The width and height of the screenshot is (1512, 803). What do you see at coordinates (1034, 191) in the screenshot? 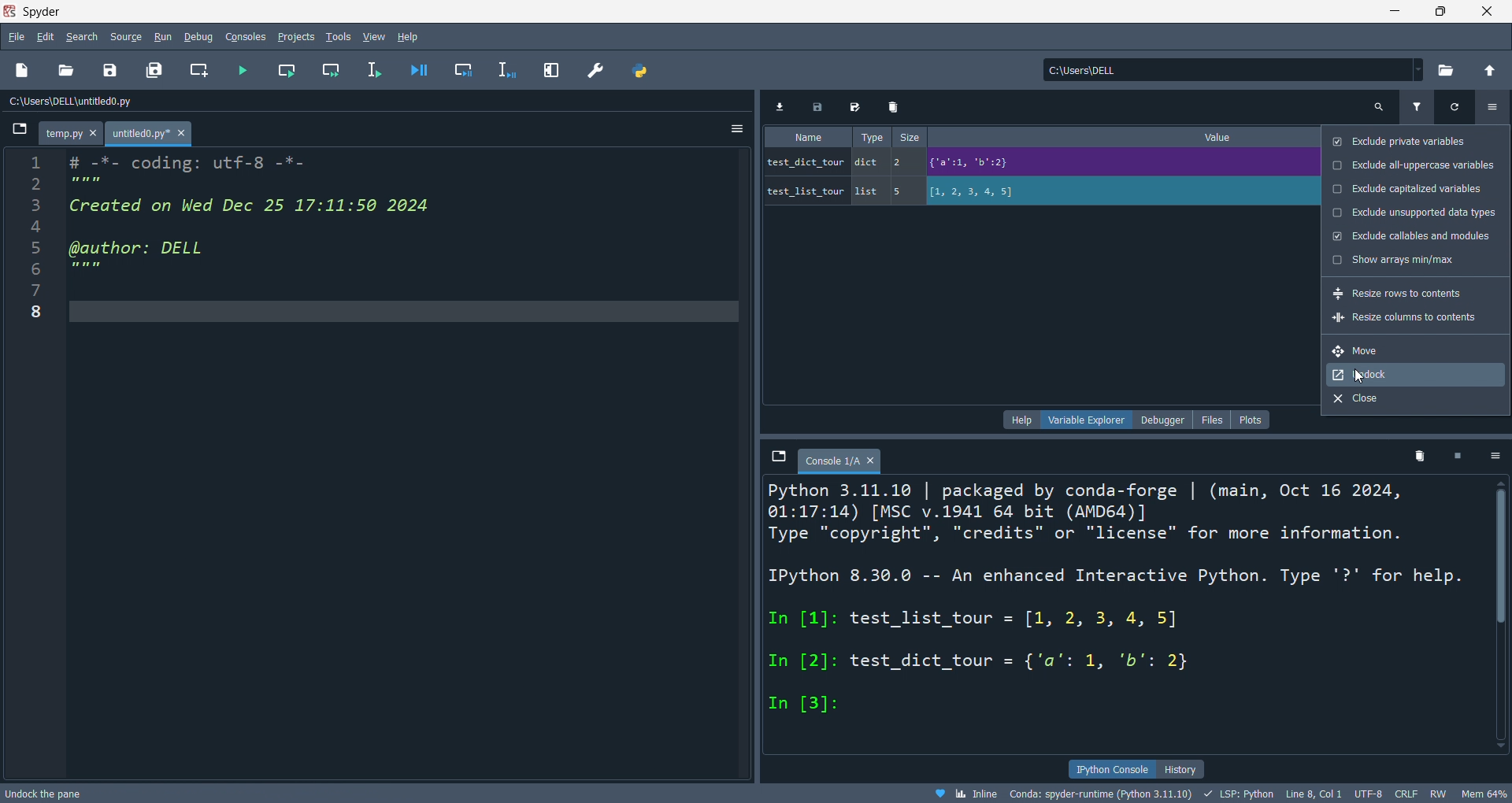
I see `test_list_tour` at bounding box center [1034, 191].